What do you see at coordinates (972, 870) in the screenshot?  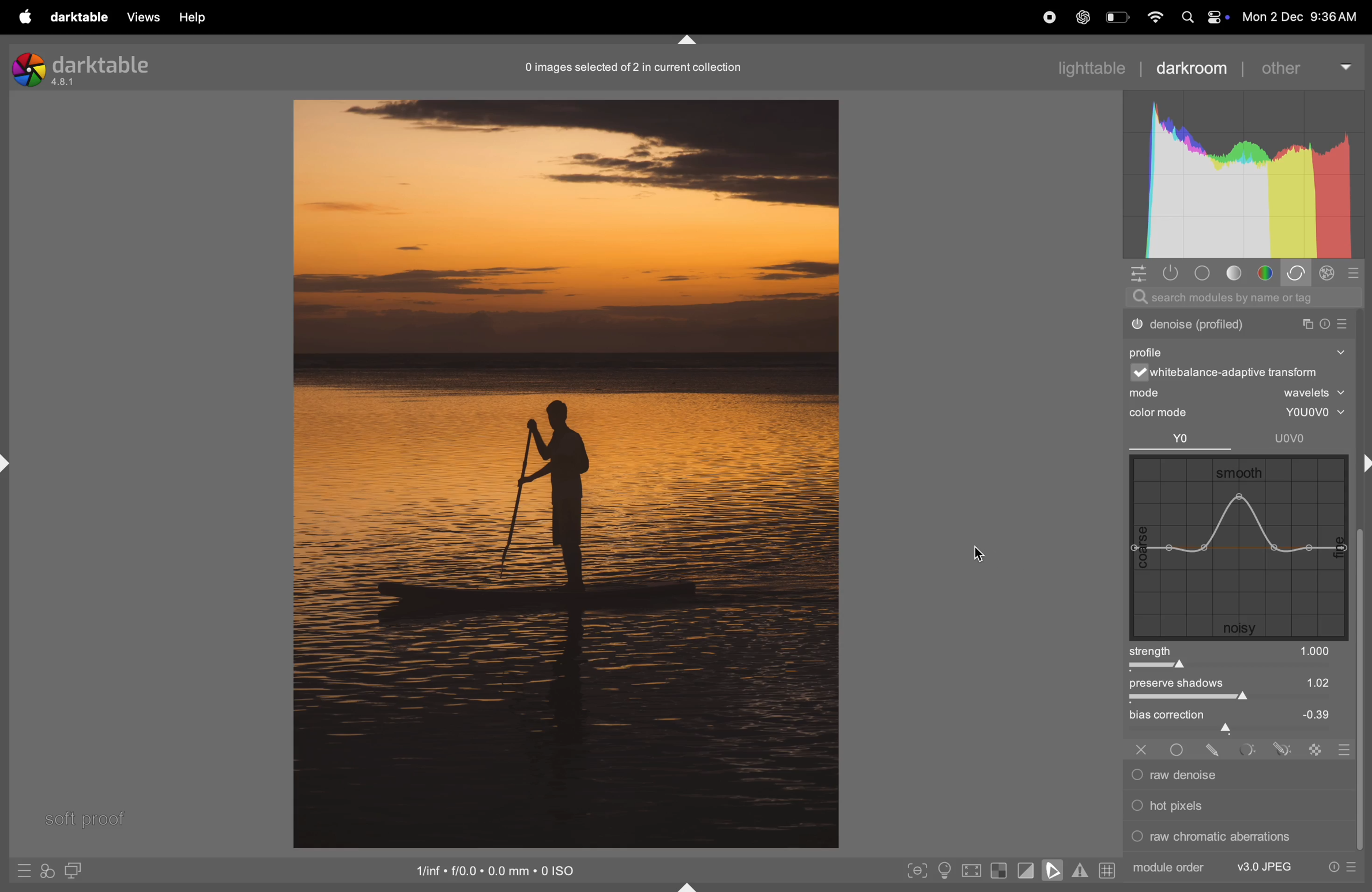 I see `toggle high quality processing` at bounding box center [972, 870].